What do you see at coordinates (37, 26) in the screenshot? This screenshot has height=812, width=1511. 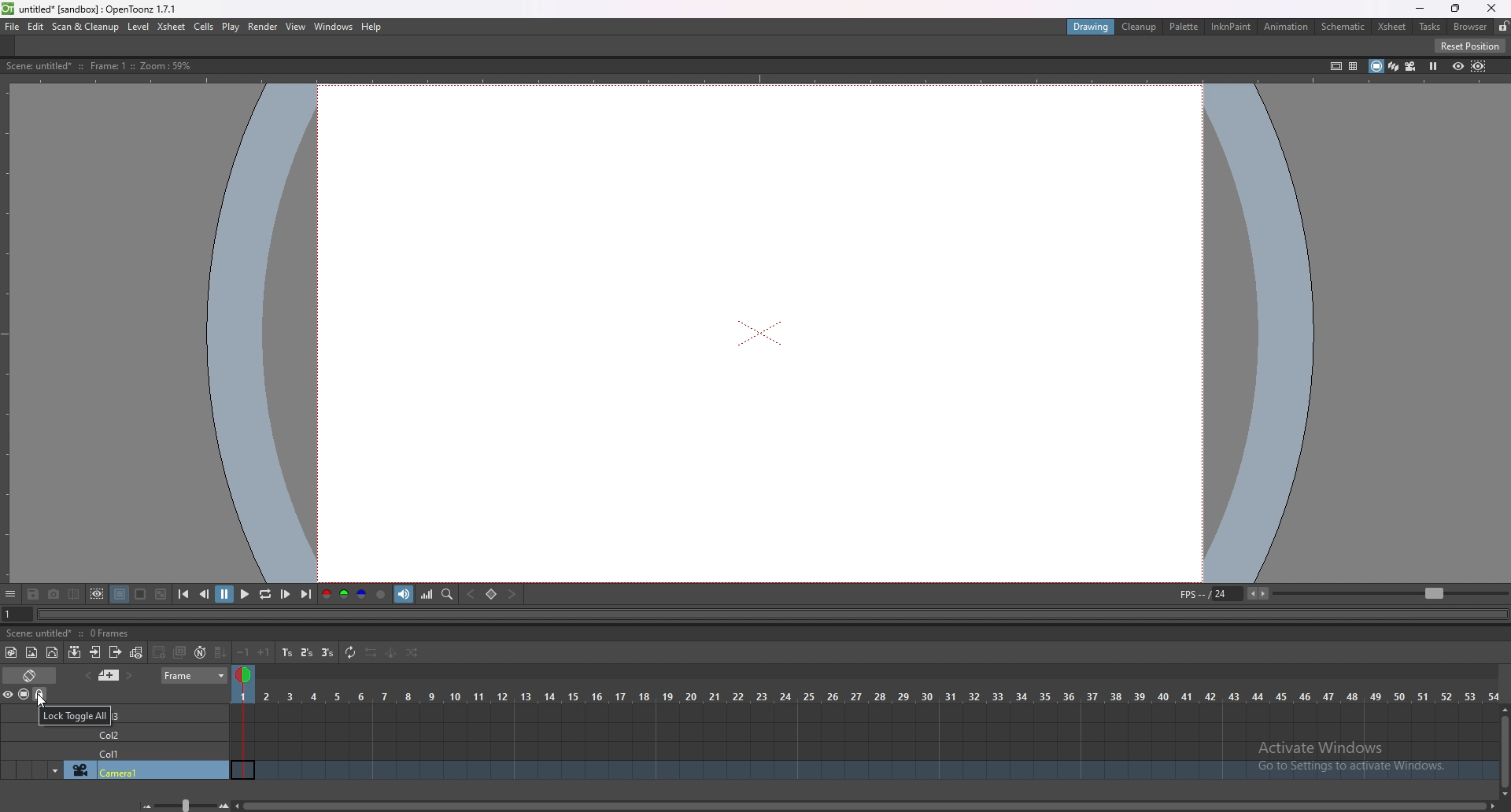 I see `edit` at bounding box center [37, 26].